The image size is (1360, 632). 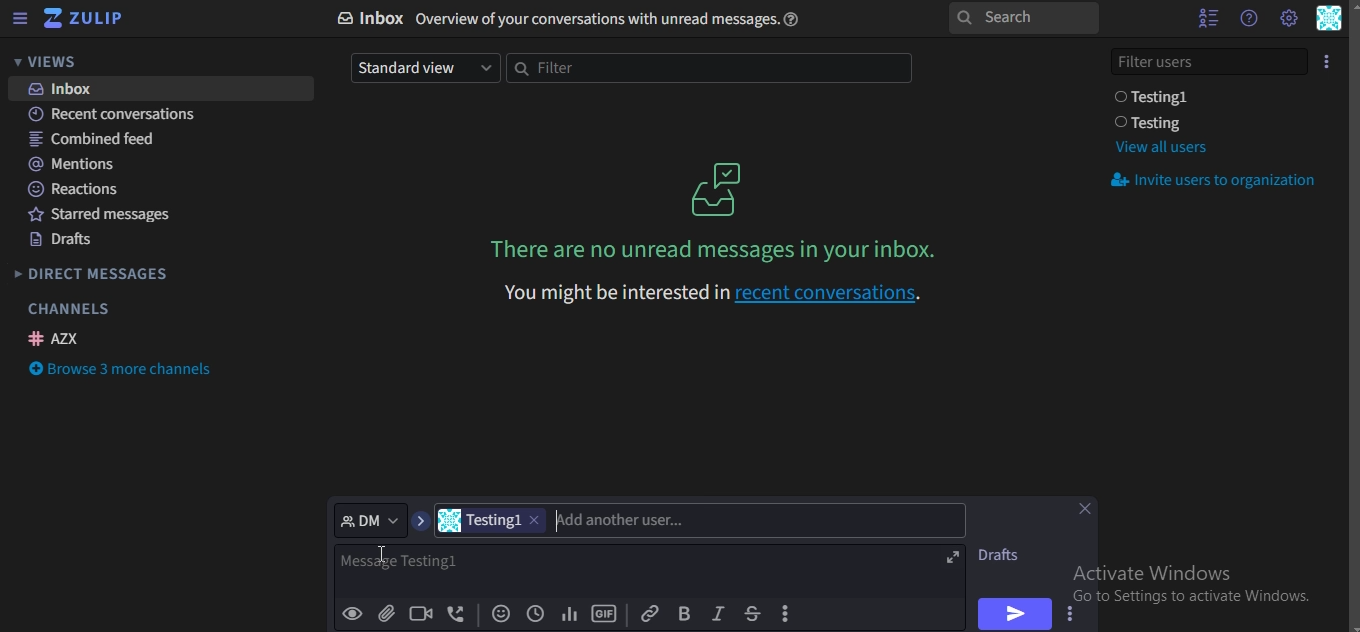 I want to click on invite users to organization, so click(x=1217, y=182).